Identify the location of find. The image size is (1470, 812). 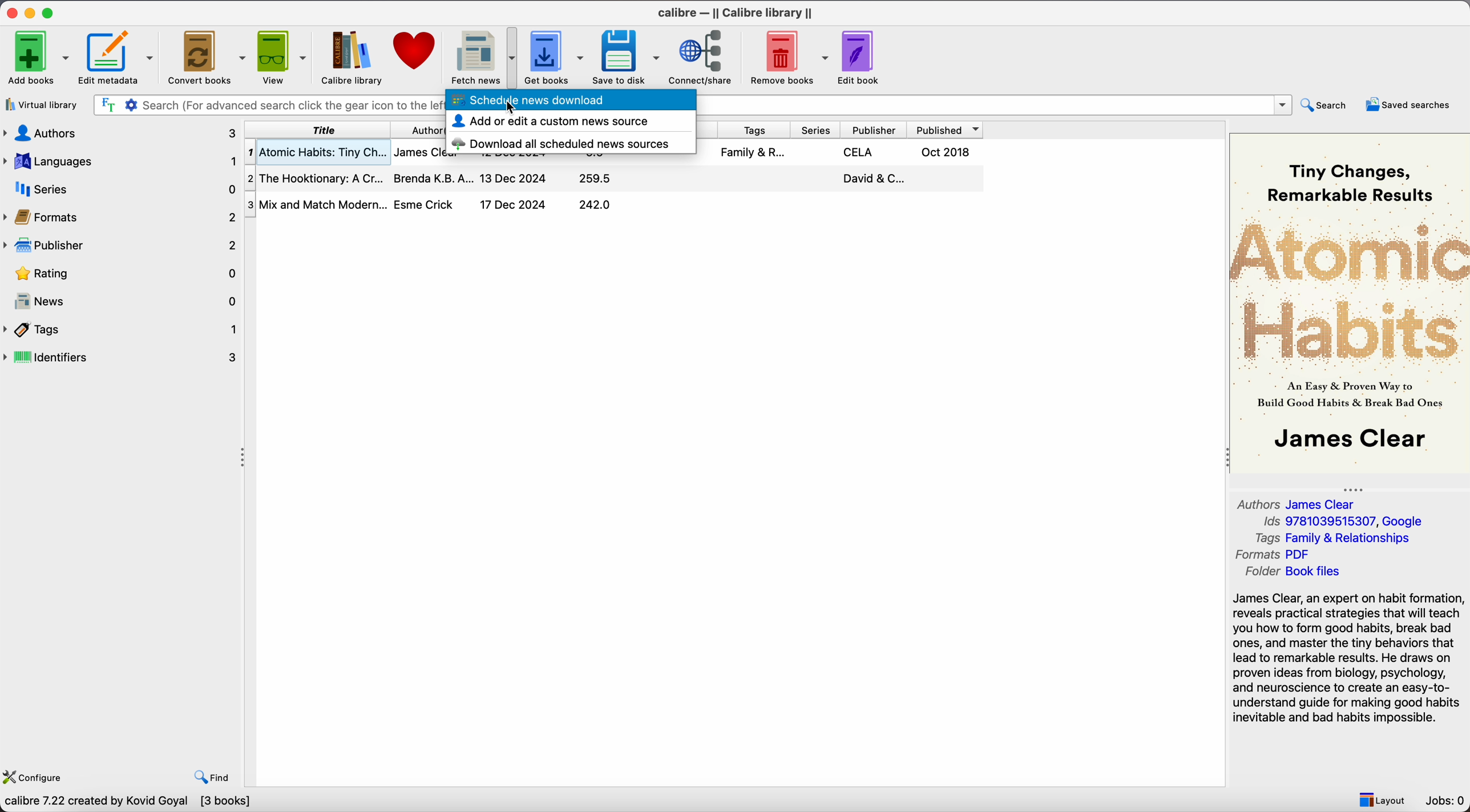
(212, 778).